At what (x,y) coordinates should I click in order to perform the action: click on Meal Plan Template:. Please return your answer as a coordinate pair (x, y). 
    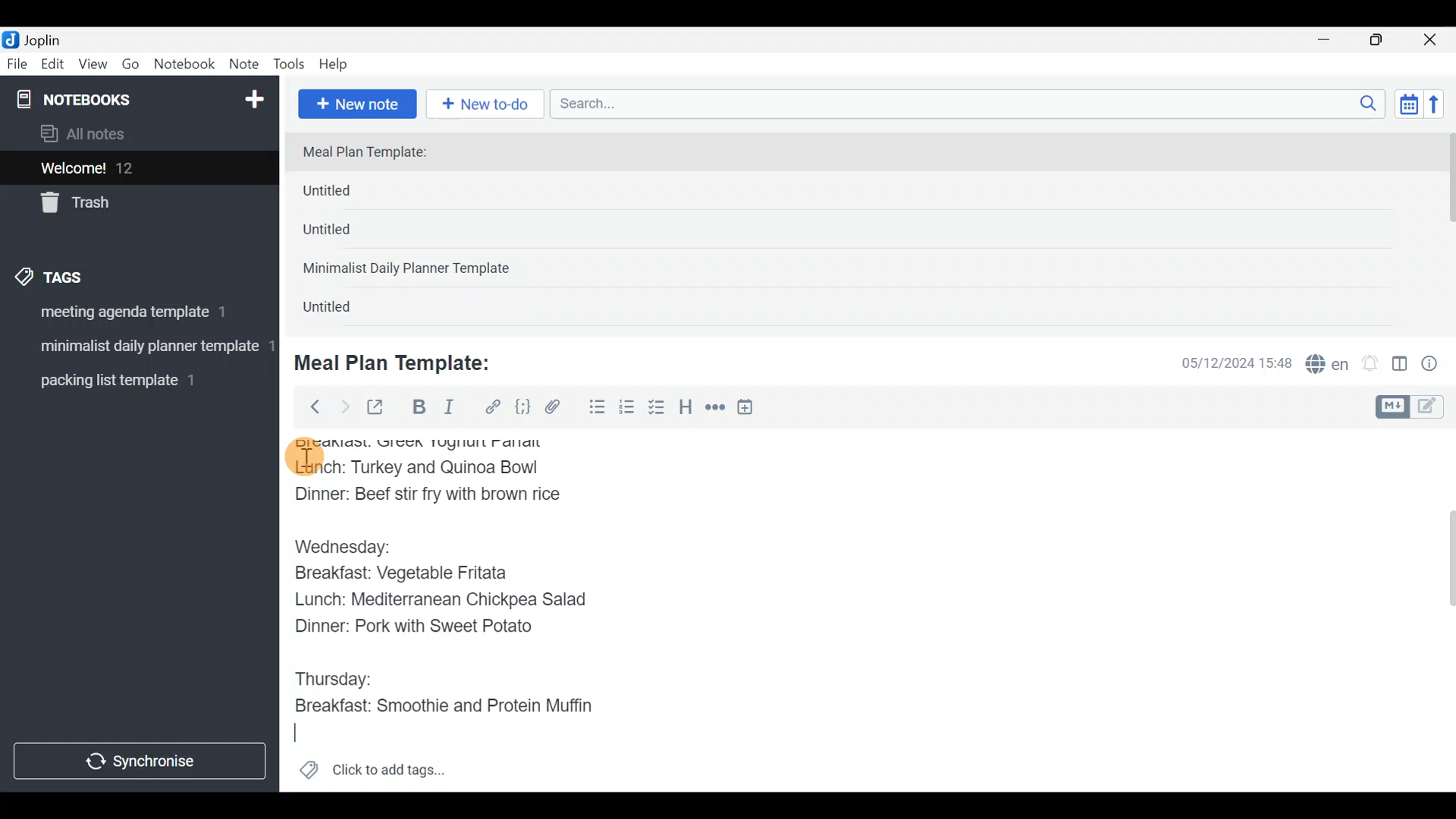
    Looking at the image, I should click on (374, 153).